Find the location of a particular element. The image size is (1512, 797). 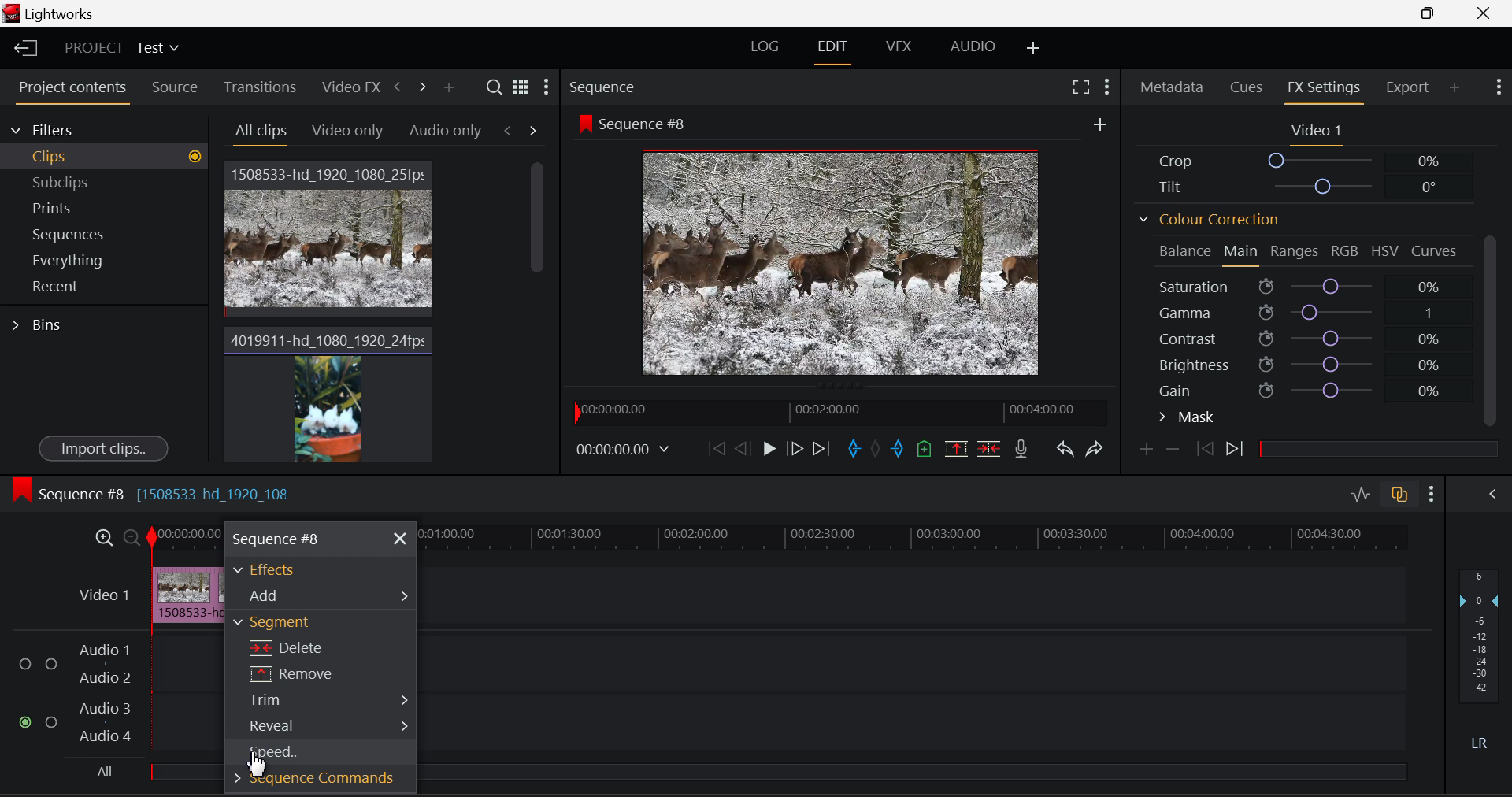

Sequence #8 Video Preview is located at coordinates (840, 263).